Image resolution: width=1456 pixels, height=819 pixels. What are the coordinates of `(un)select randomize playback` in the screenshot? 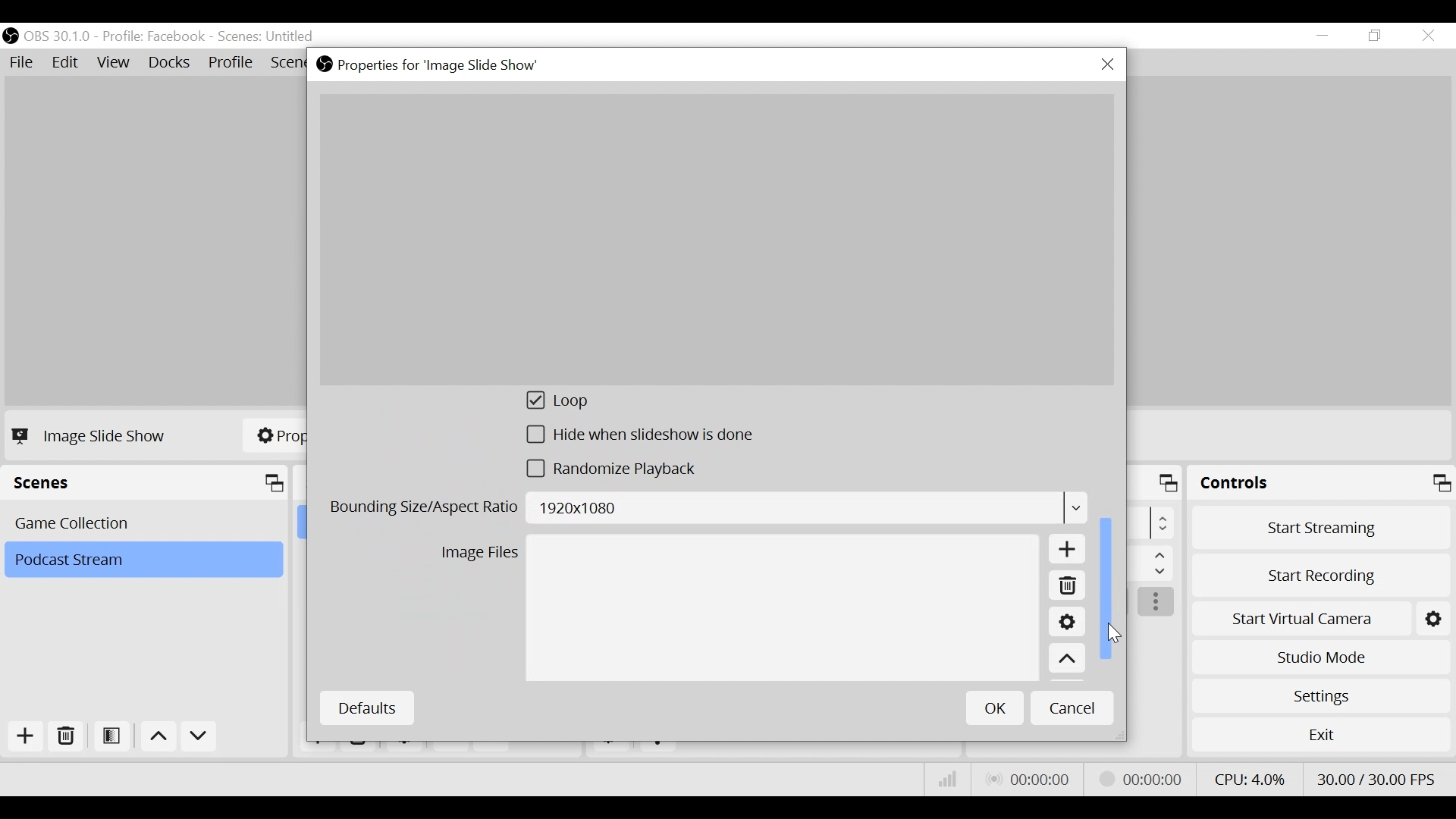 It's located at (620, 470).